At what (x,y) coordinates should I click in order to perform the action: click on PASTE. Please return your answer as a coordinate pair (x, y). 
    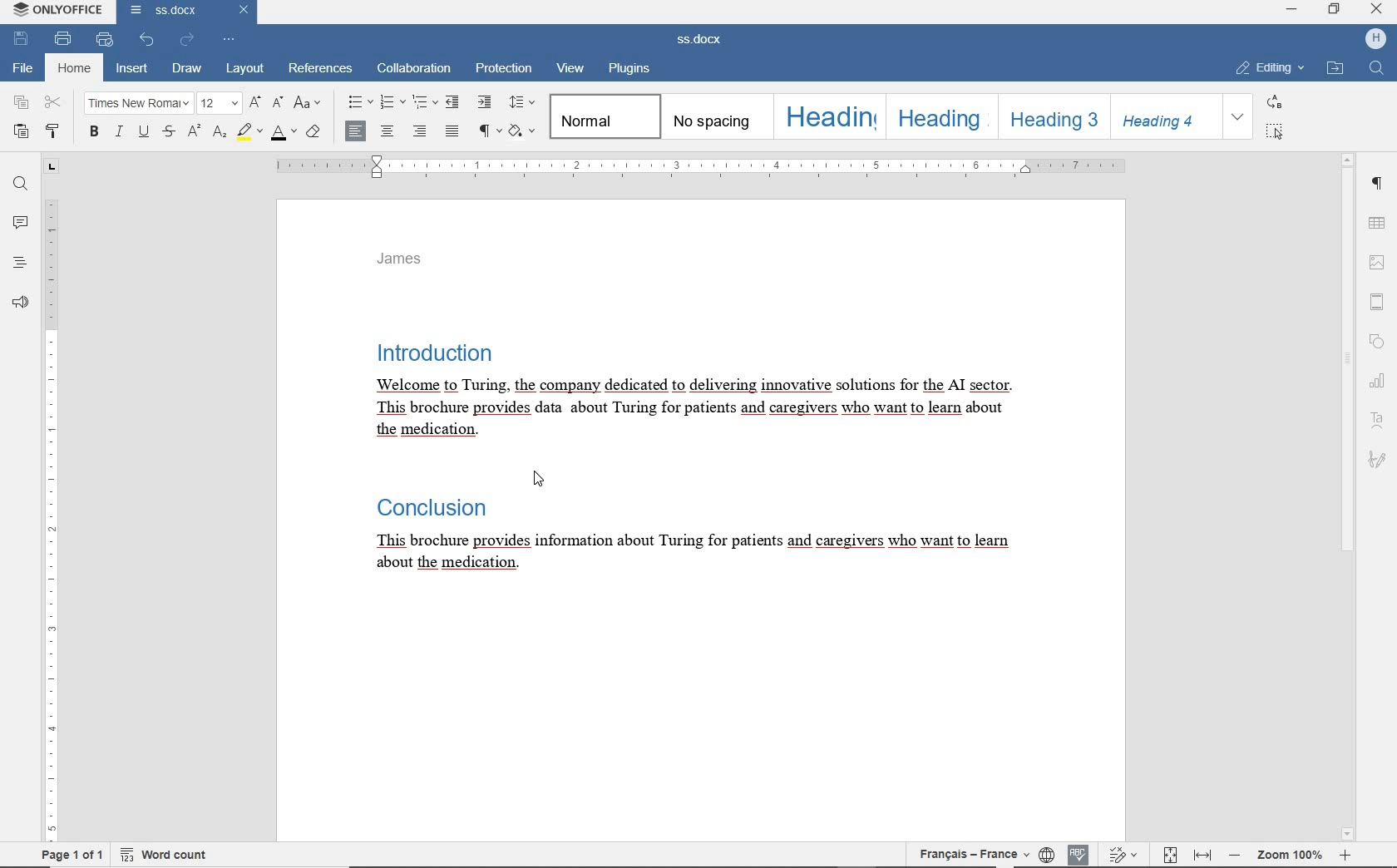
    Looking at the image, I should click on (22, 132).